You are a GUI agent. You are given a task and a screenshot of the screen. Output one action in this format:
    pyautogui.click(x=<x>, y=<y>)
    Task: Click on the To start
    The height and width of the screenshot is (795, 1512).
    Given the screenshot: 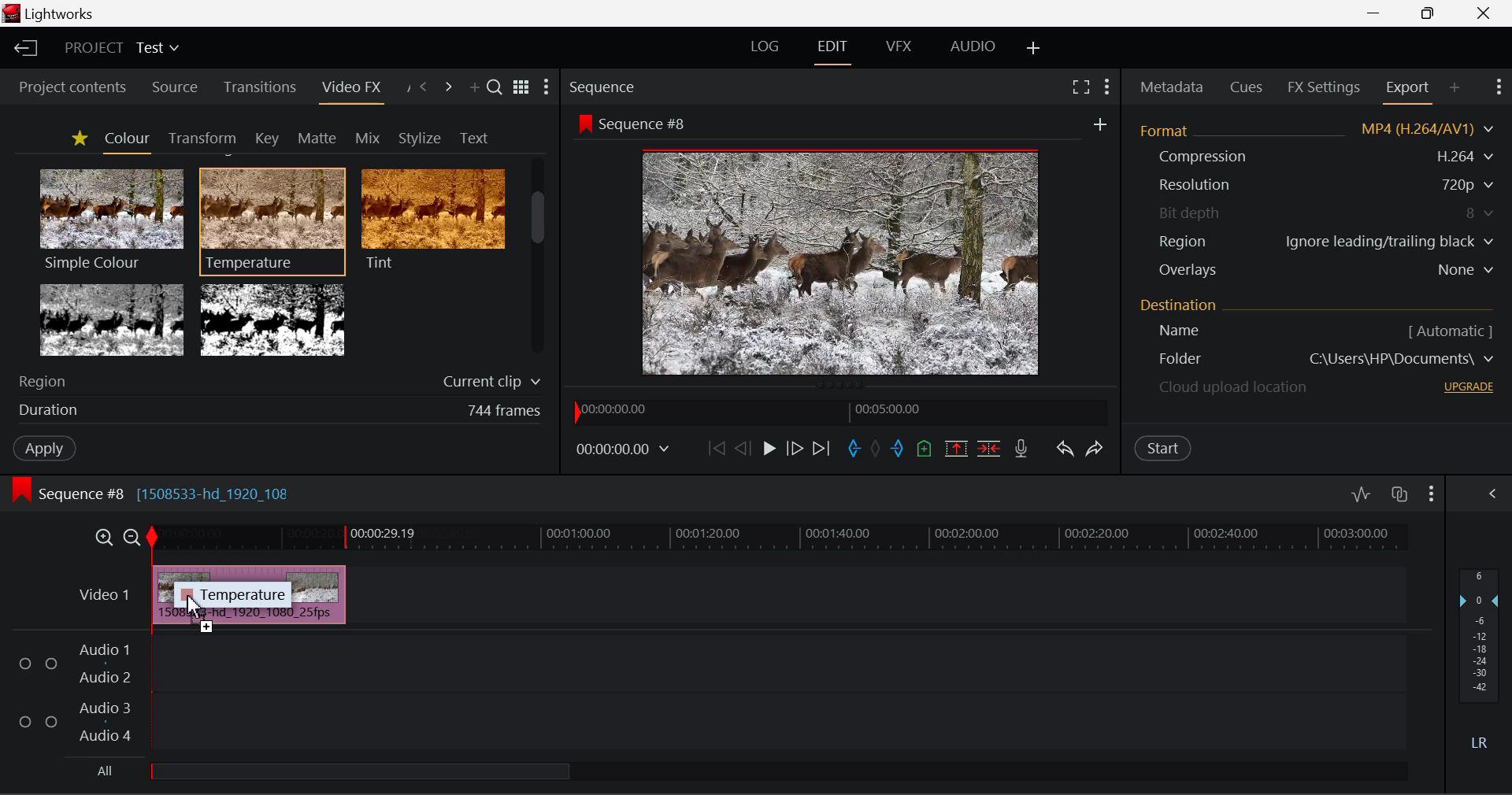 What is the action you would take?
    pyautogui.click(x=714, y=452)
    